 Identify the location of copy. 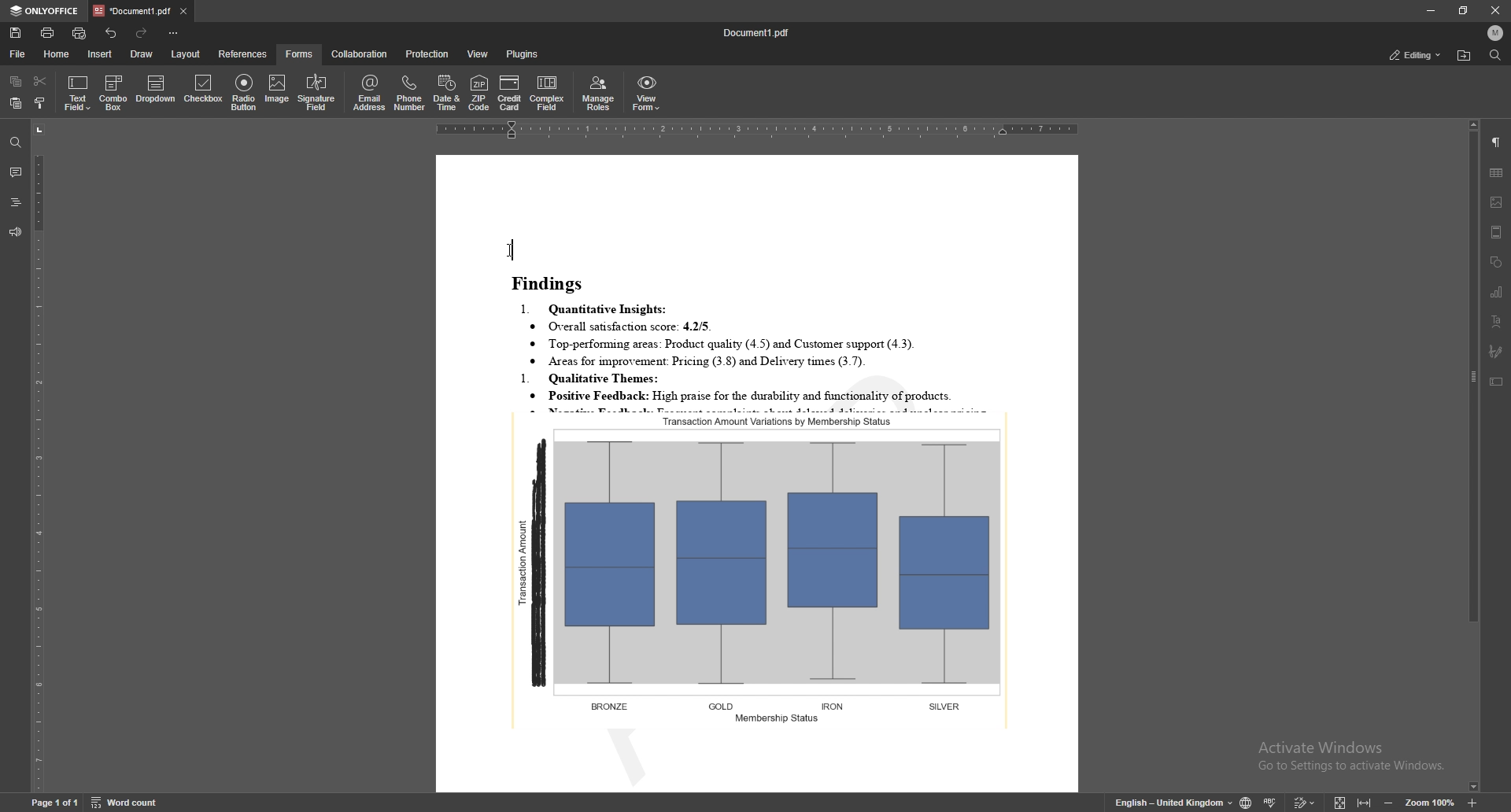
(16, 82).